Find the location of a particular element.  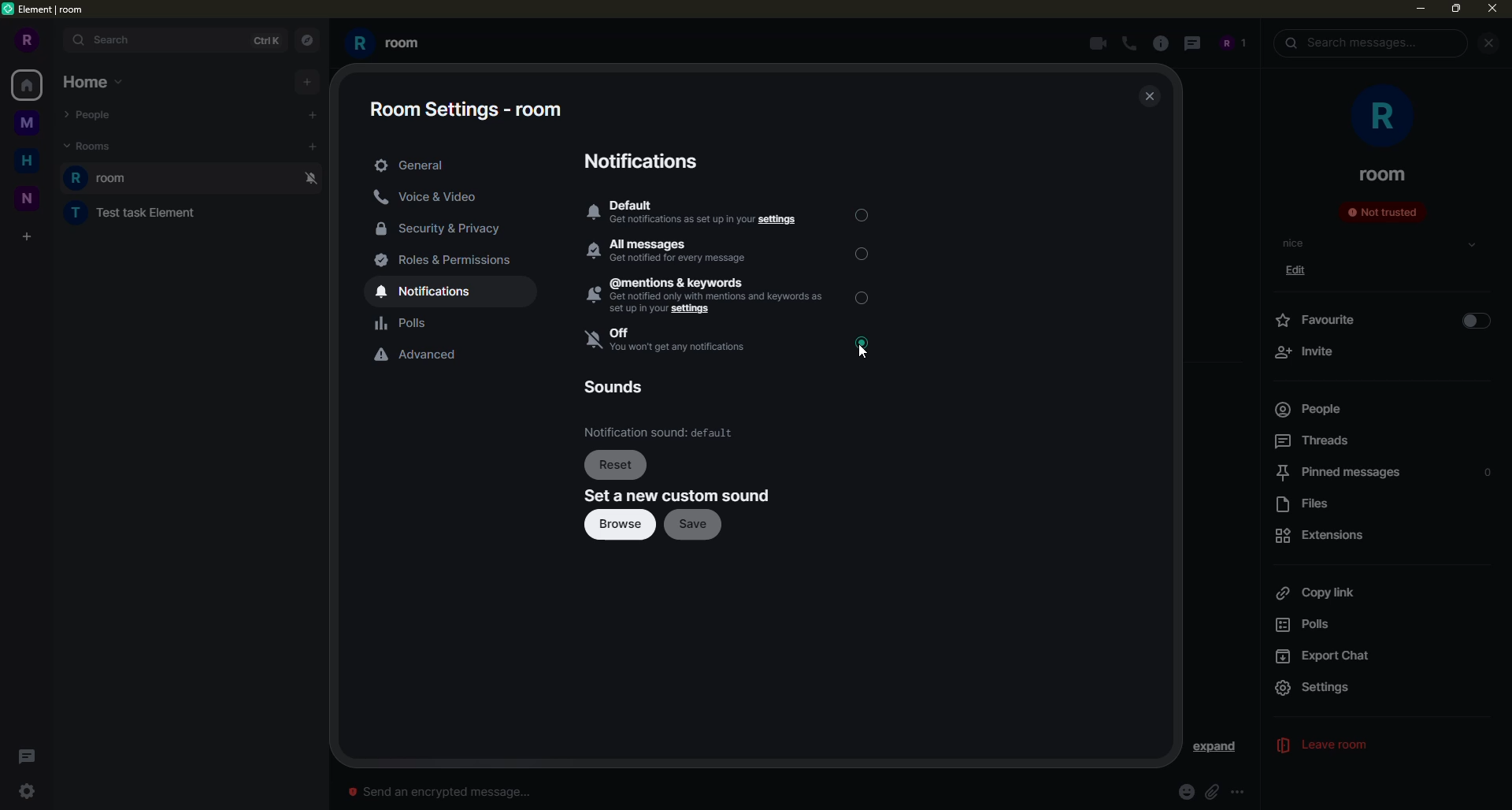

close is located at coordinates (1488, 43).